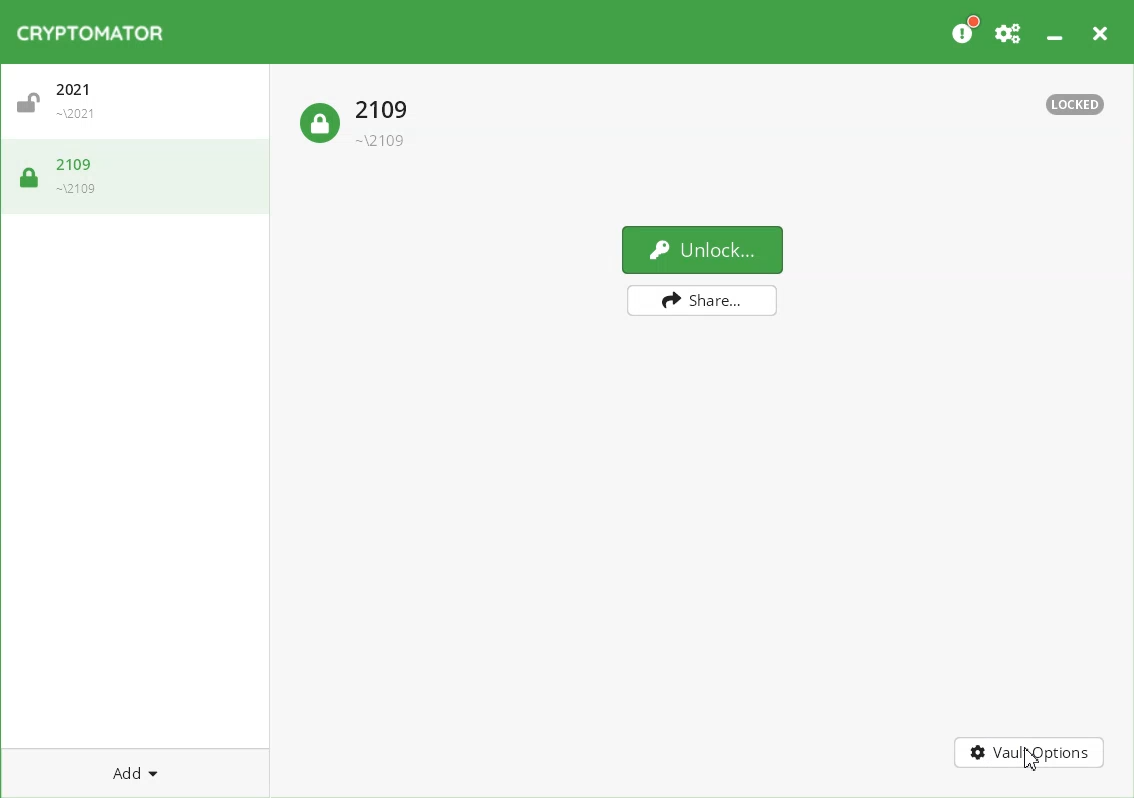 This screenshot has width=1134, height=798. I want to click on Lock Vault, so click(136, 182).